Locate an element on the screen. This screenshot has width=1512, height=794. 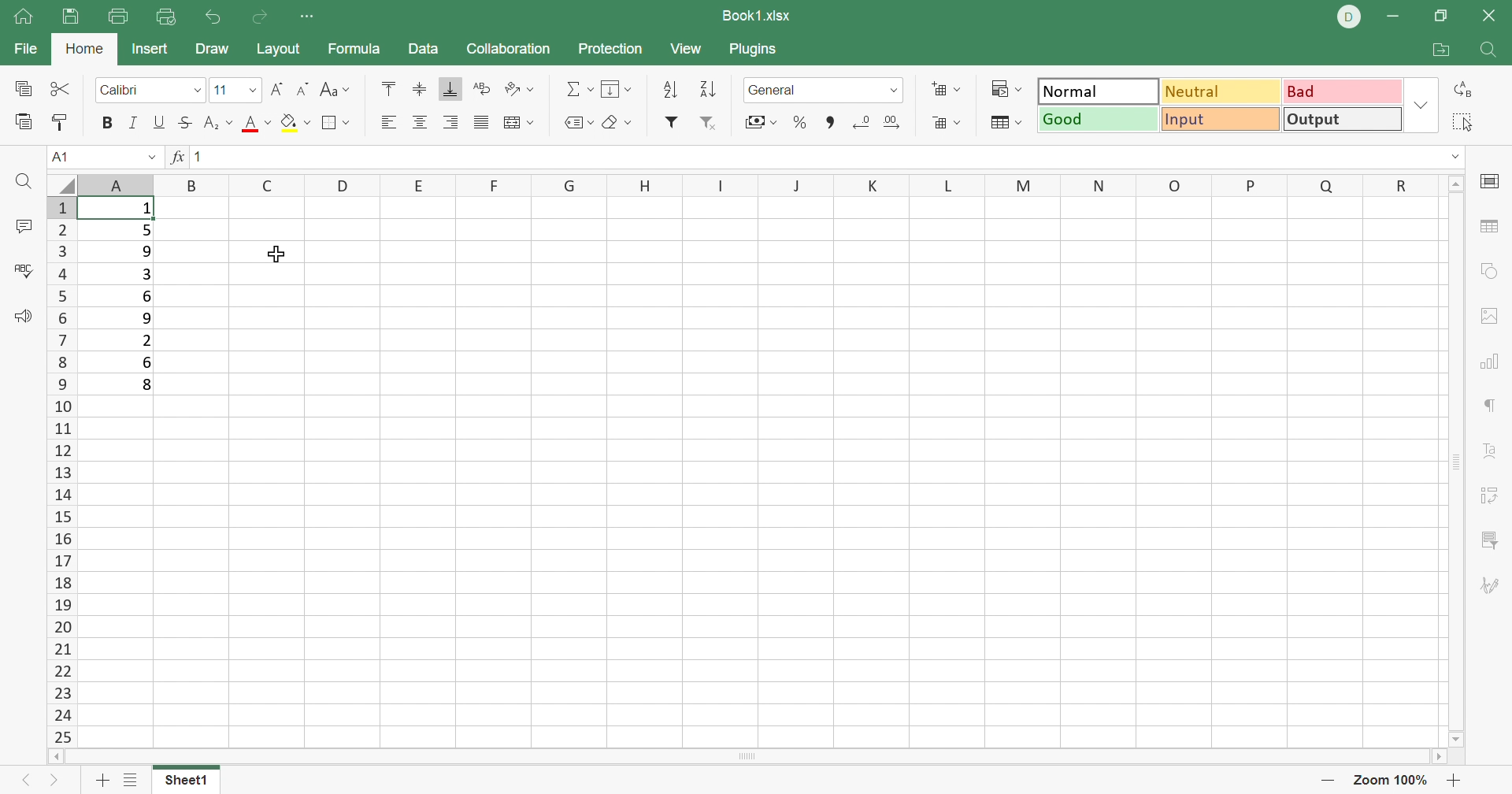
Copy style is located at coordinates (60, 121).